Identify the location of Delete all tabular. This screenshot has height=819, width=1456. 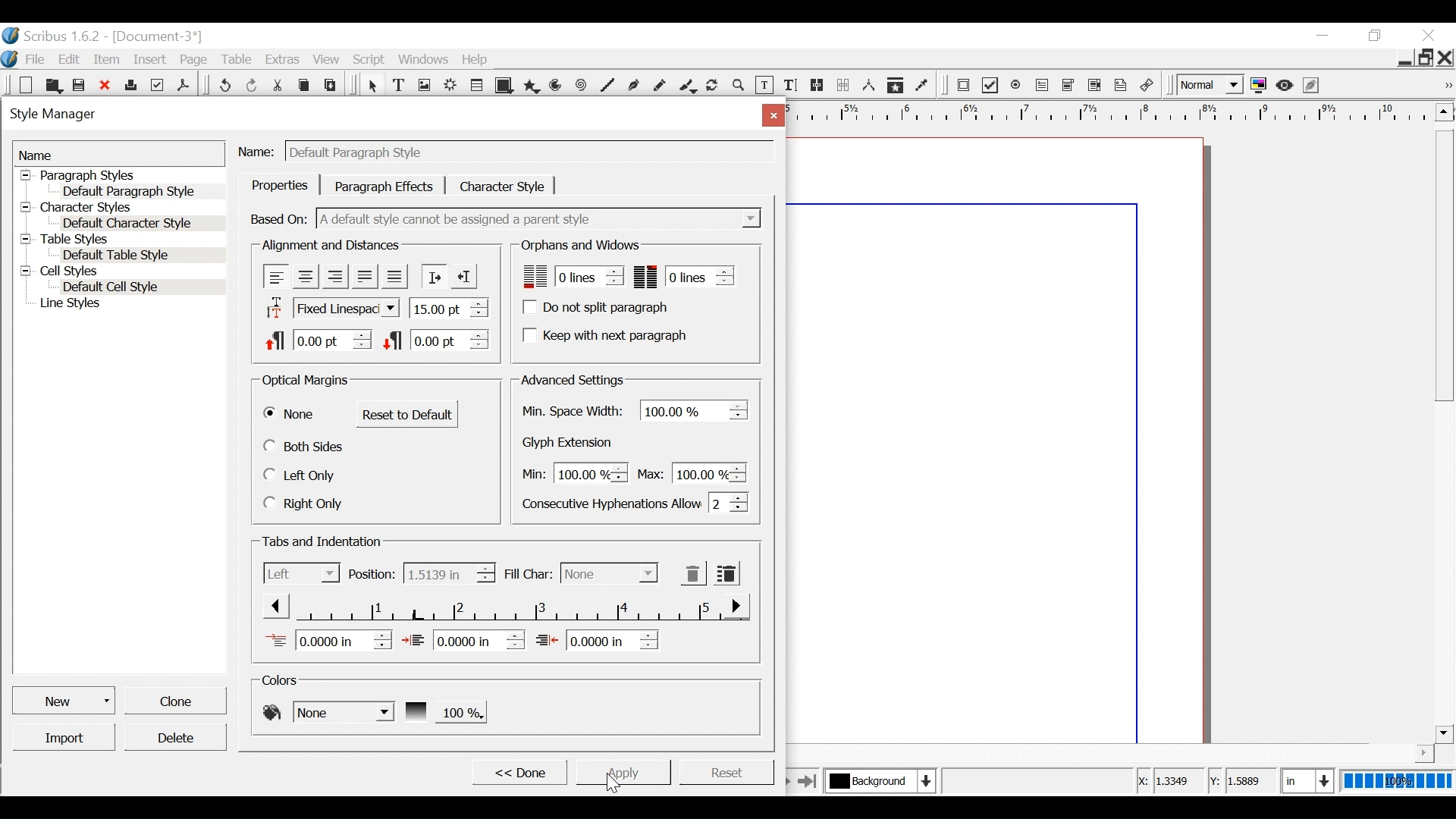
(726, 573).